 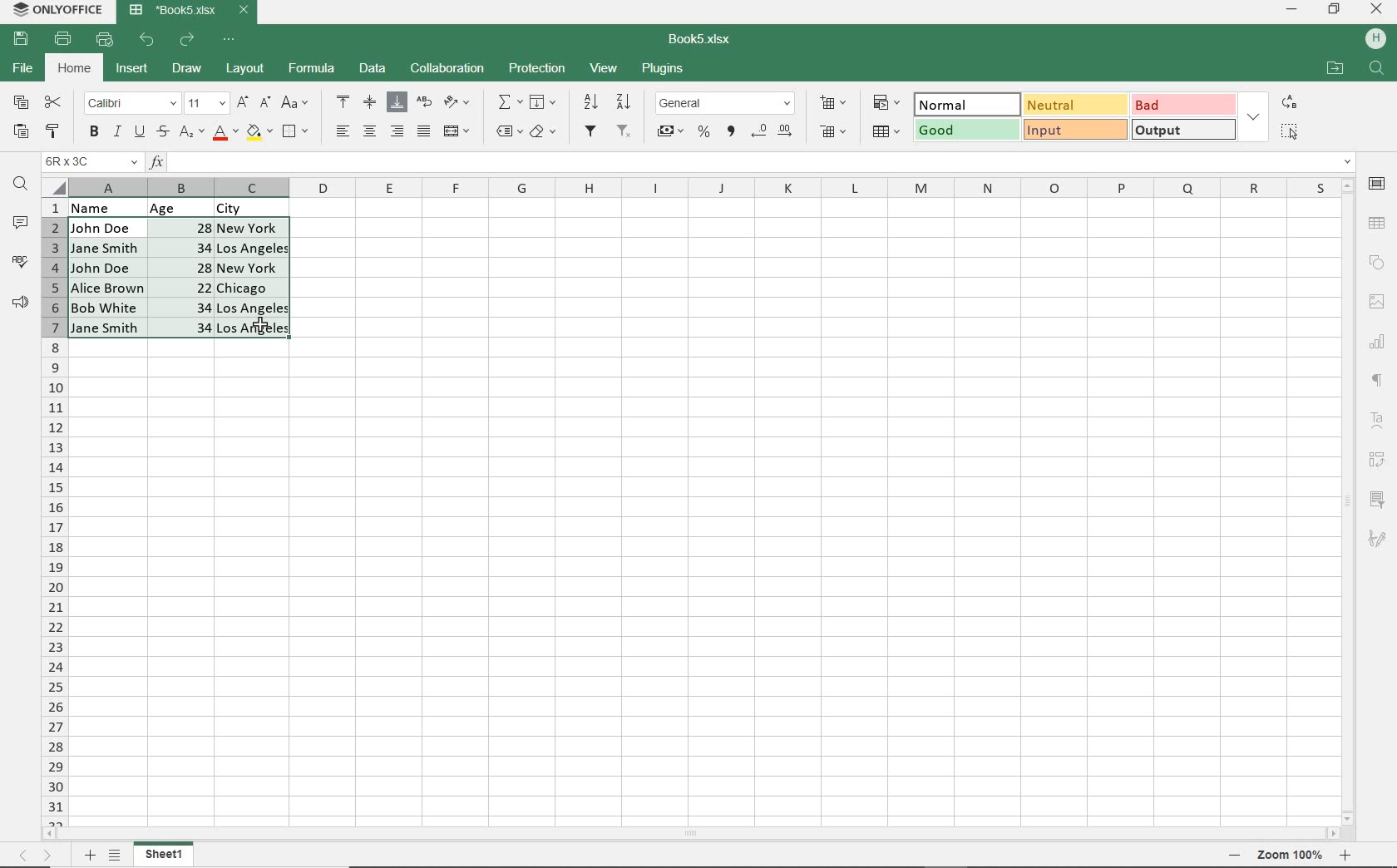 What do you see at coordinates (1350, 501) in the screenshot?
I see `SCROLLBAR` at bounding box center [1350, 501].